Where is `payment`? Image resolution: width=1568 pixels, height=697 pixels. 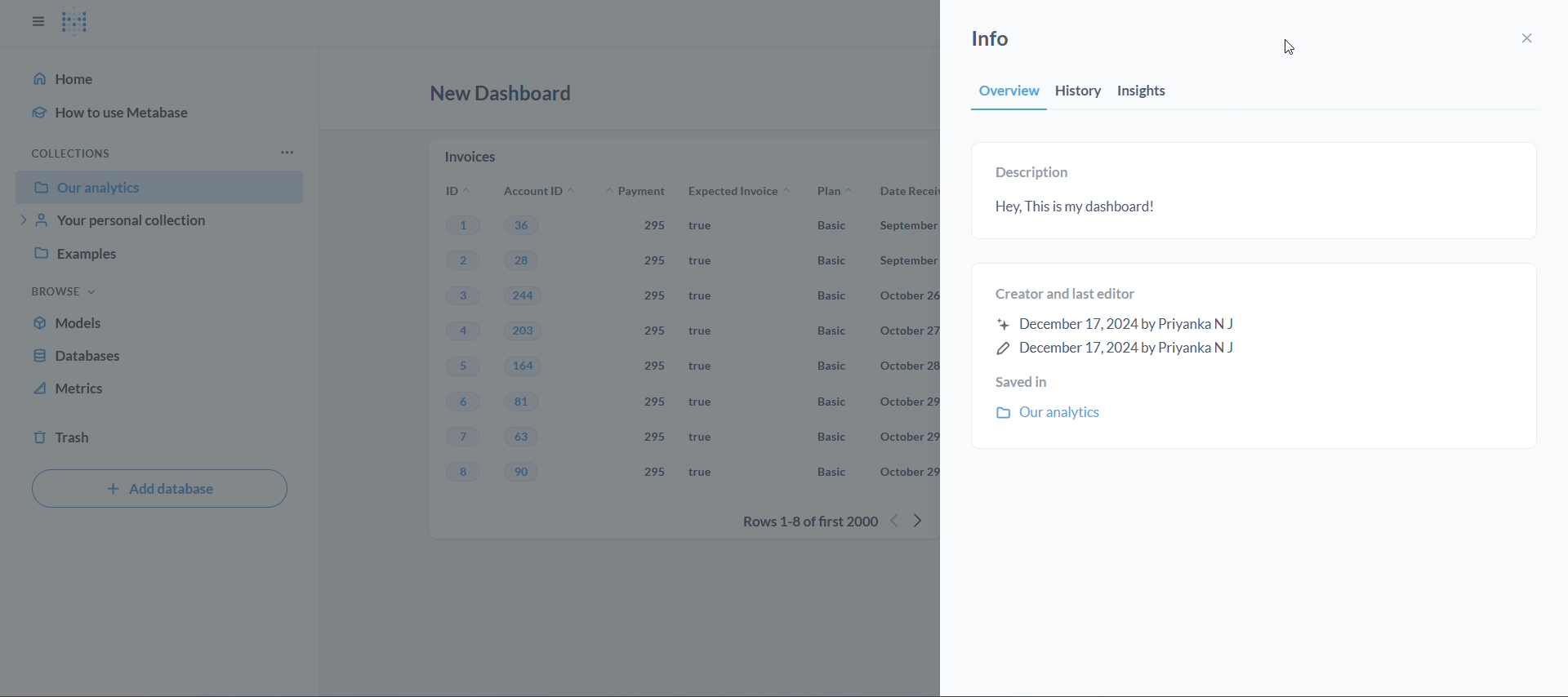 payment is located at coordinates (645, 193).